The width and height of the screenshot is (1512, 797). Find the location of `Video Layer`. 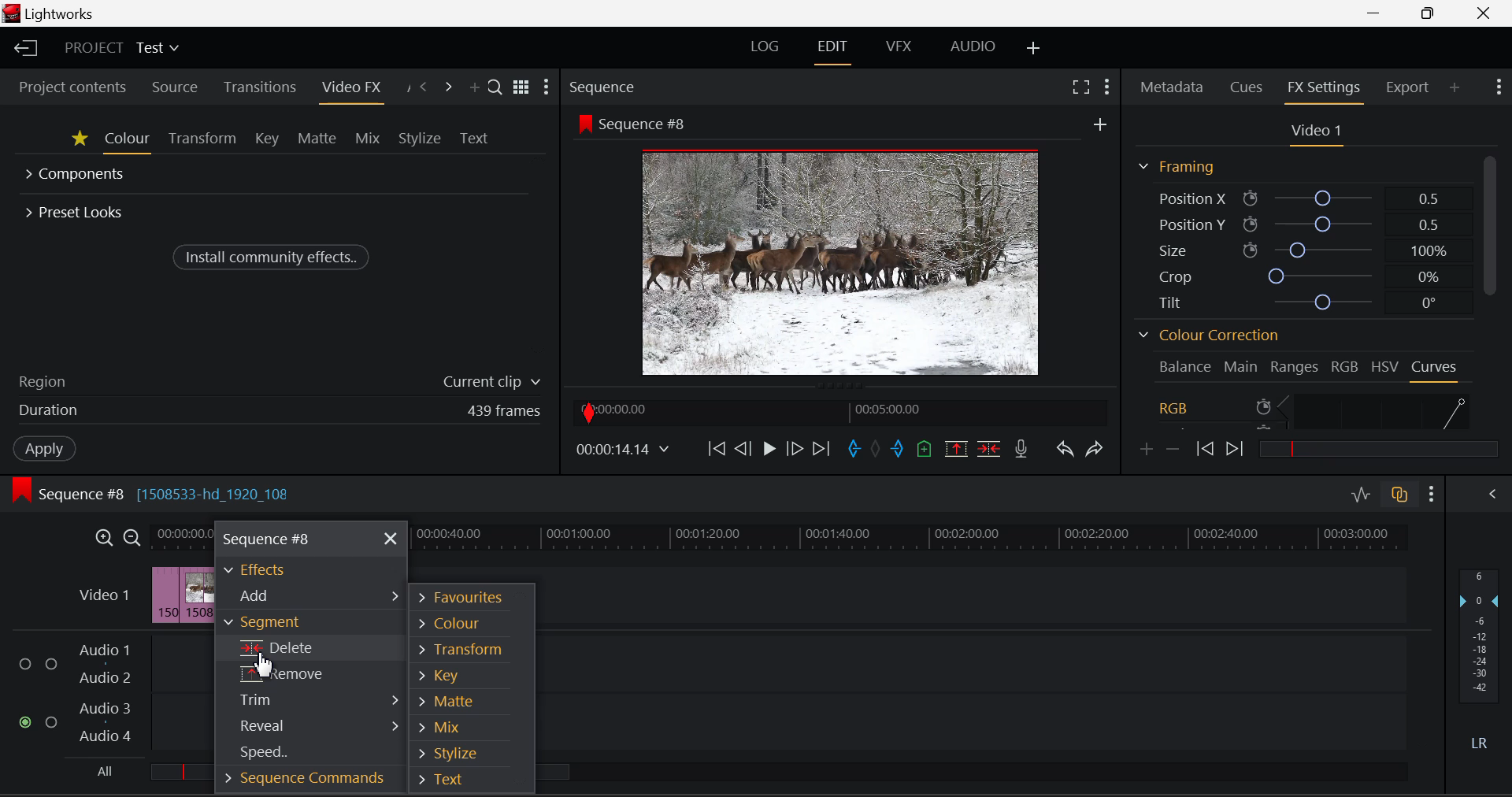

Video Layer is located at coordinates (104, 599).